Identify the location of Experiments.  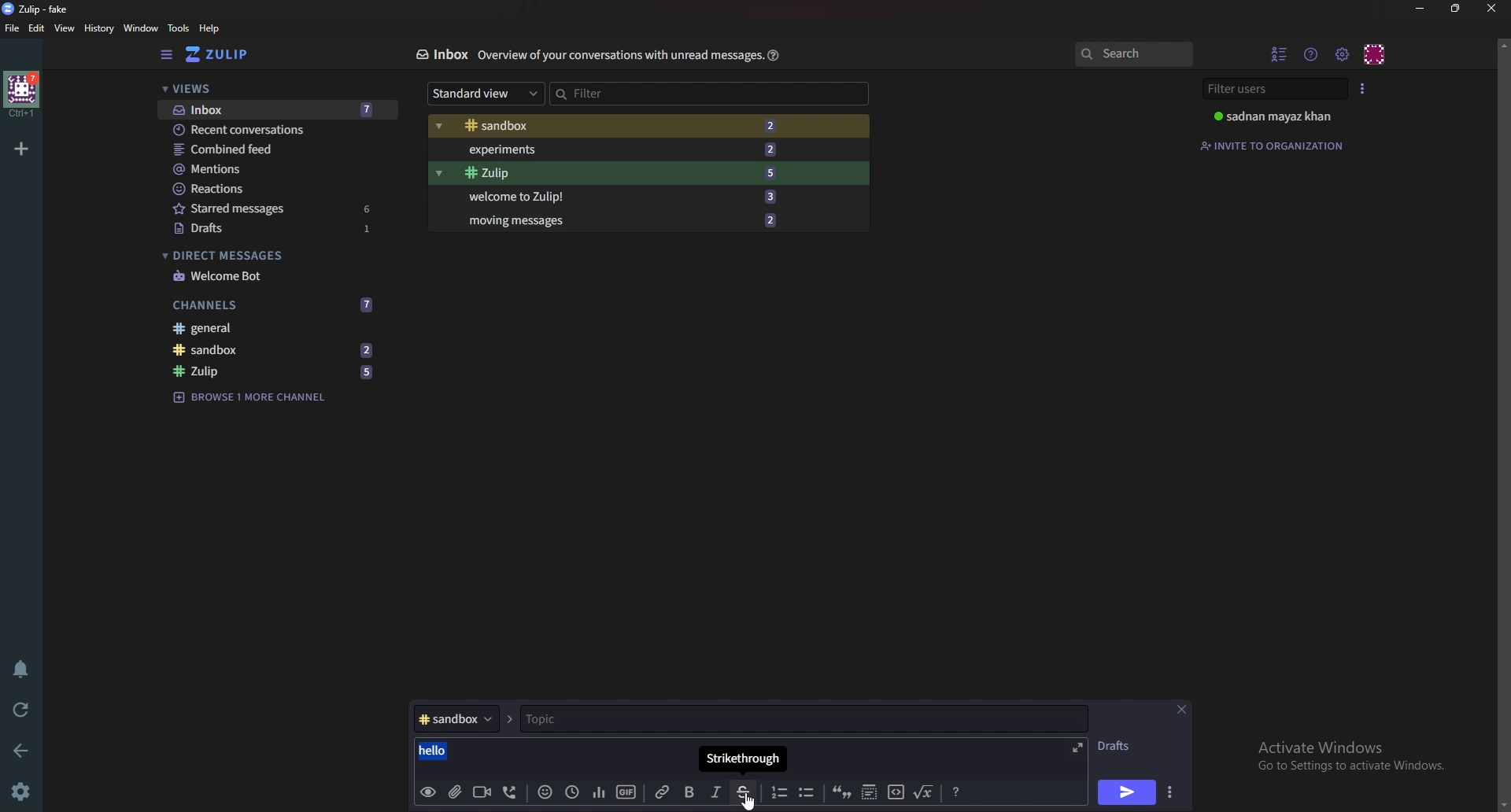
(617, 149).